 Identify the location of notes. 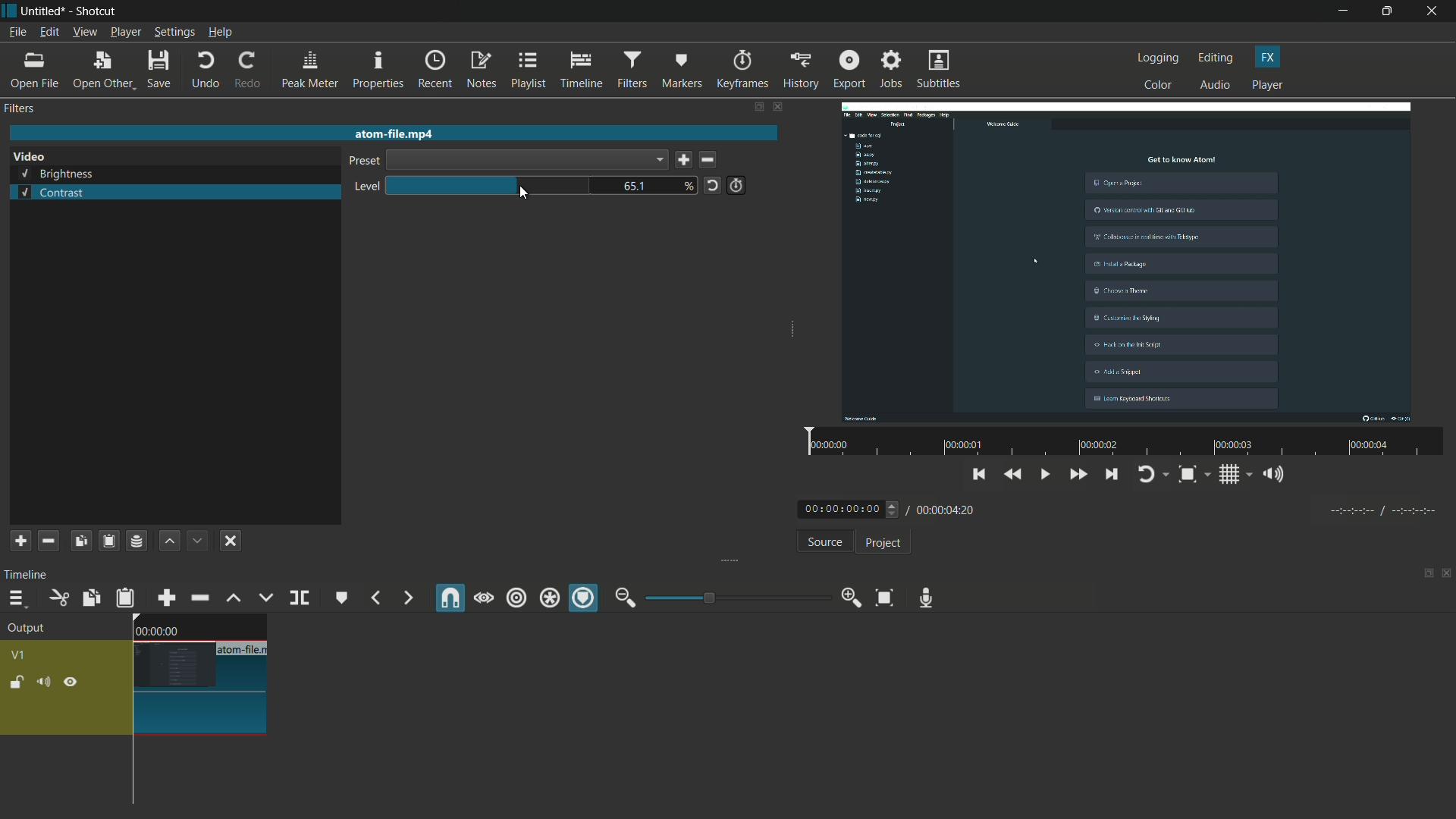
(483, 71).